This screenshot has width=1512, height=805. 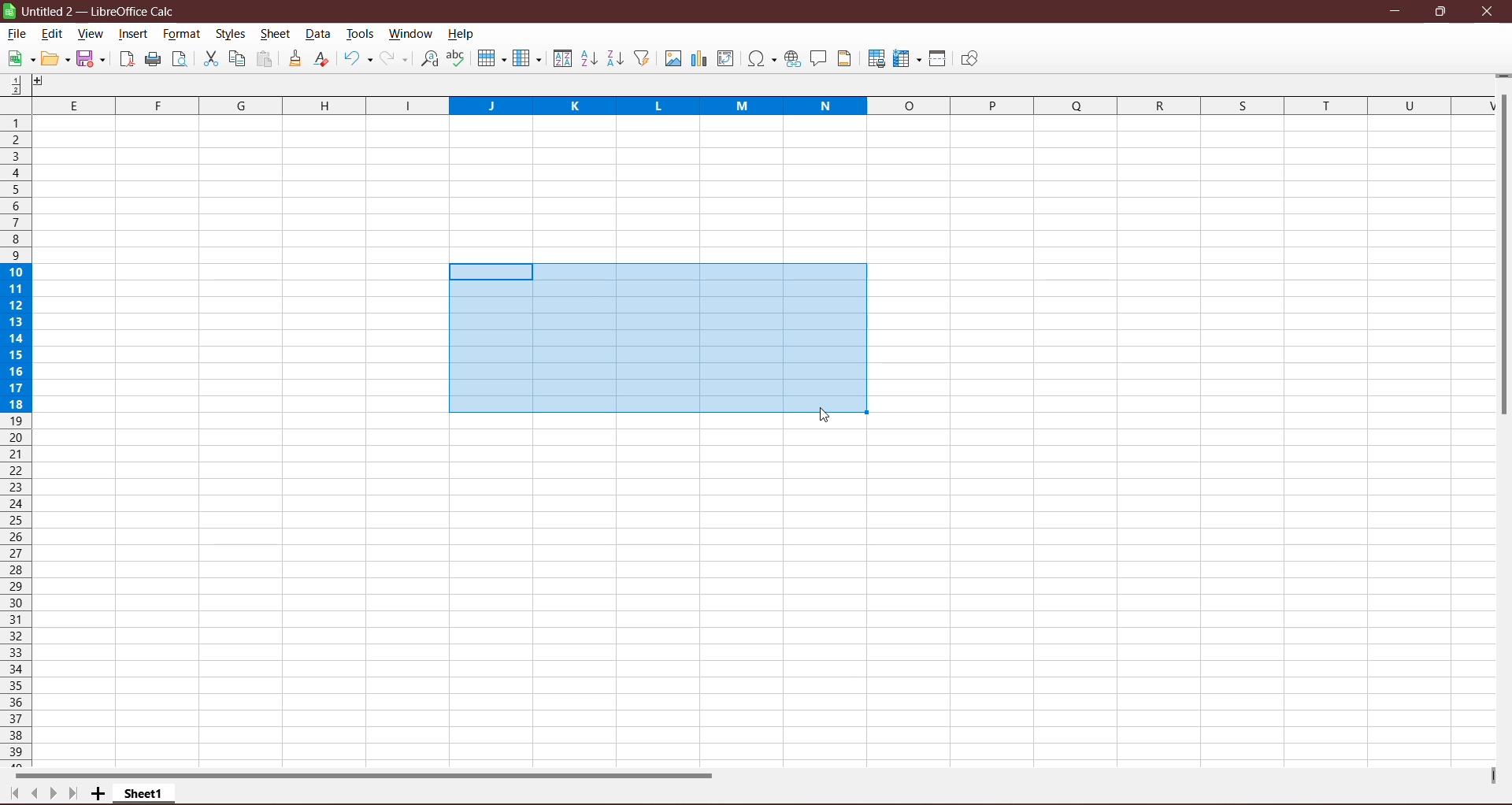 I want to click on Add New Sheet, so click(x=98, y=794).